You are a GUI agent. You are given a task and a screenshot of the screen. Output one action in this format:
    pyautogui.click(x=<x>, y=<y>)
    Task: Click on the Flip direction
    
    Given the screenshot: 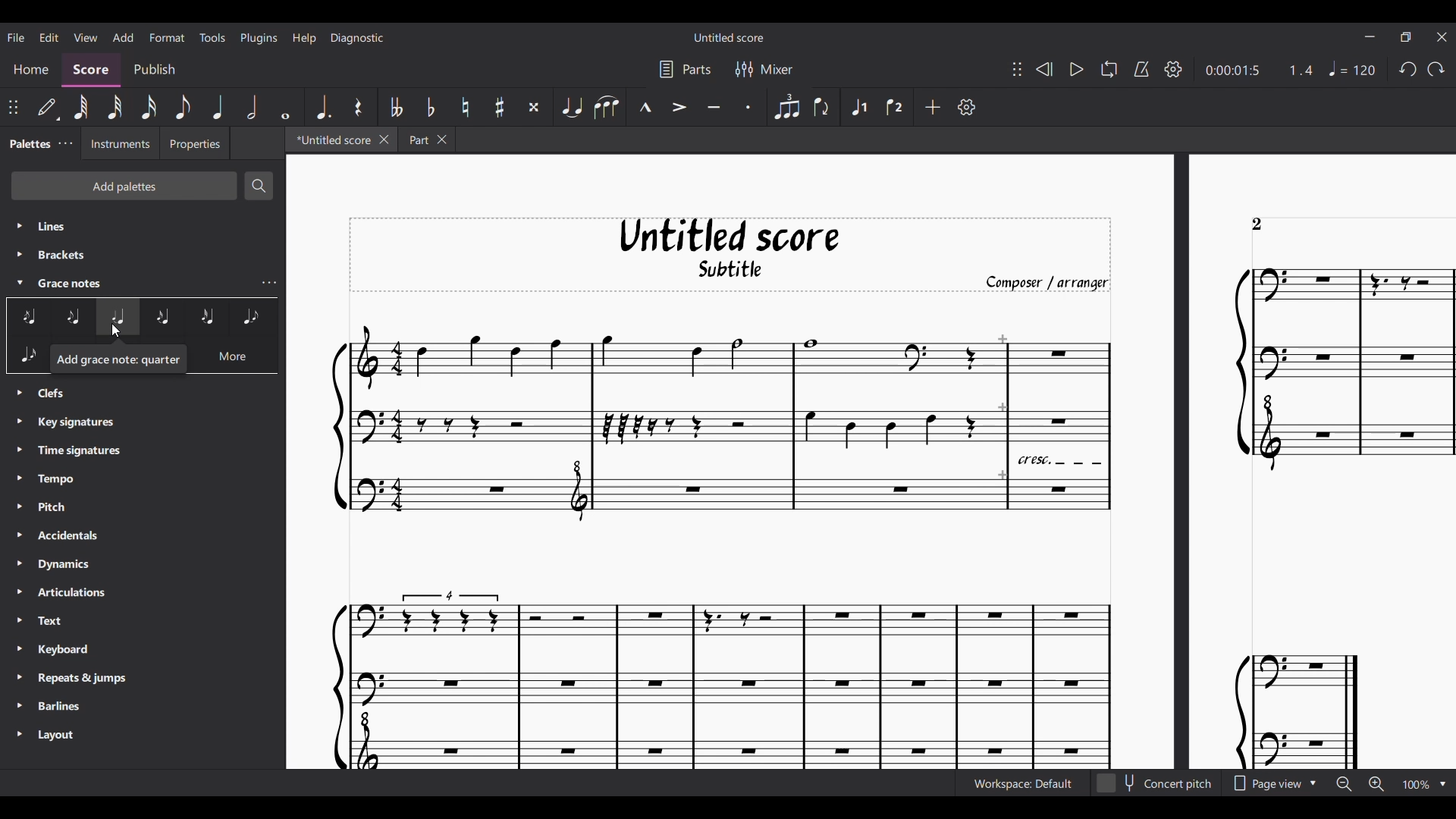 What is the action you would take?
    pyautogui.click(x=822, y=107)
    